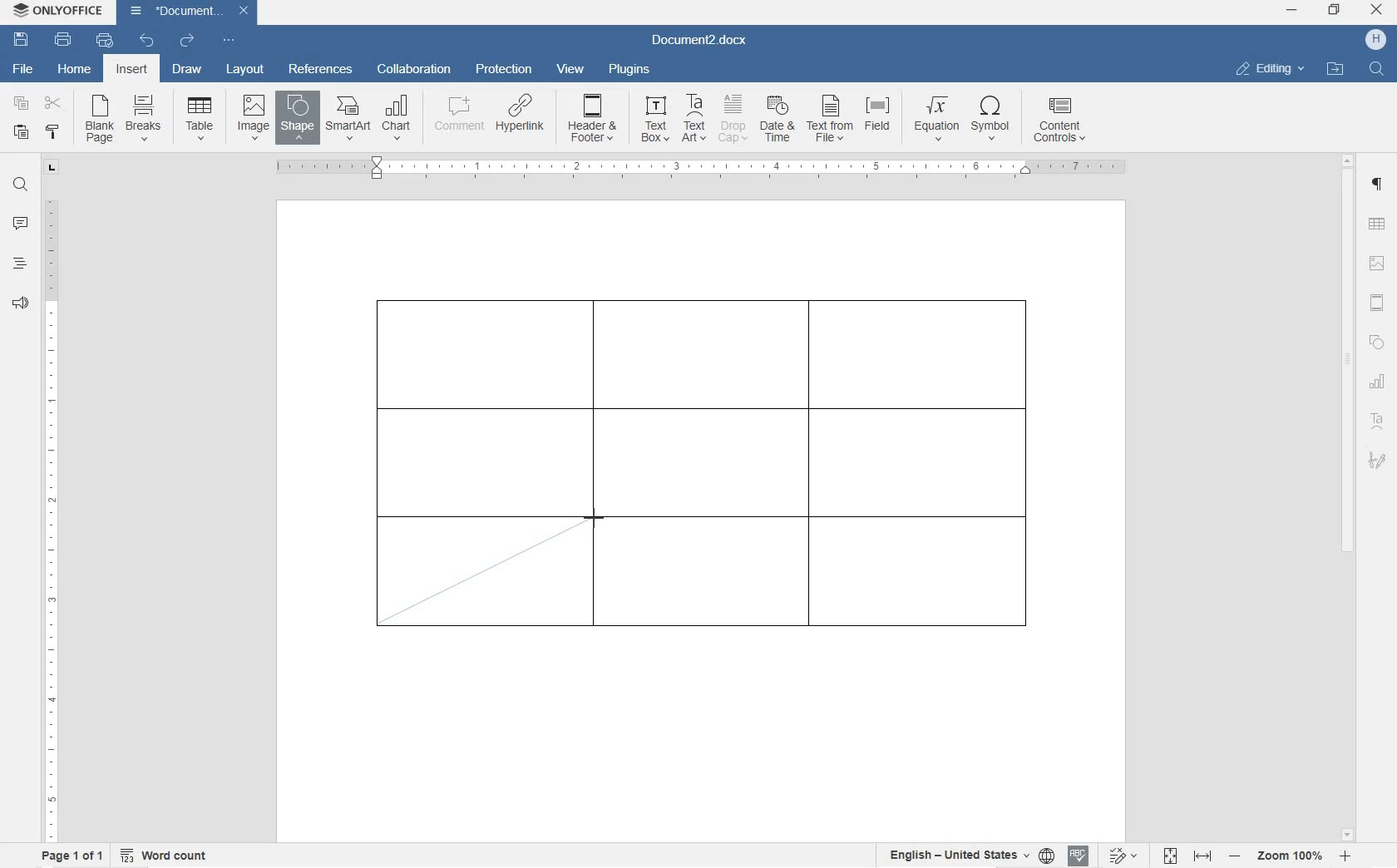  Describe the element at coordinates (131, 70) in the screenshot. I see `insert` at that location.